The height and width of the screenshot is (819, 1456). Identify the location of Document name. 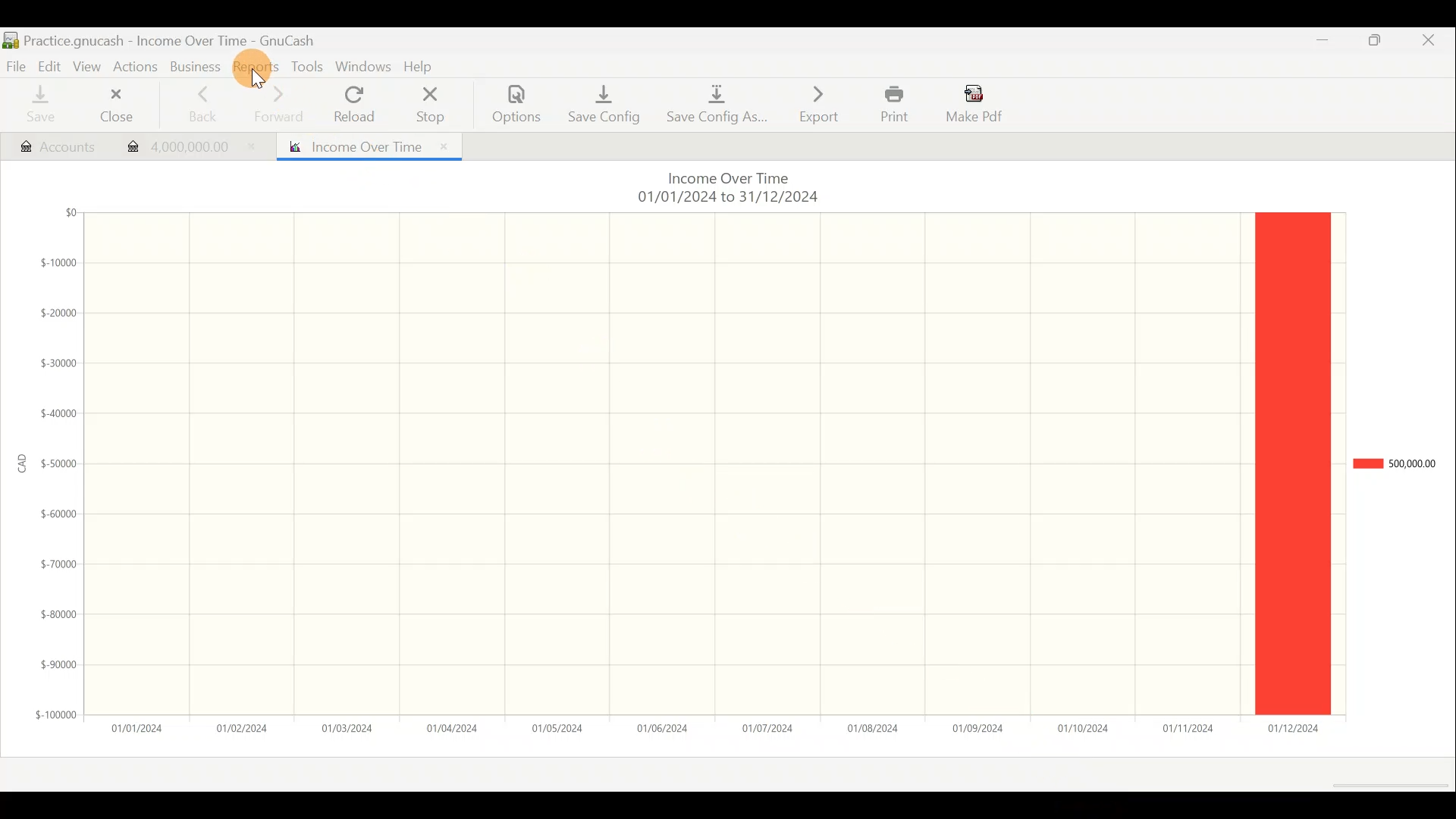
(169, 36).